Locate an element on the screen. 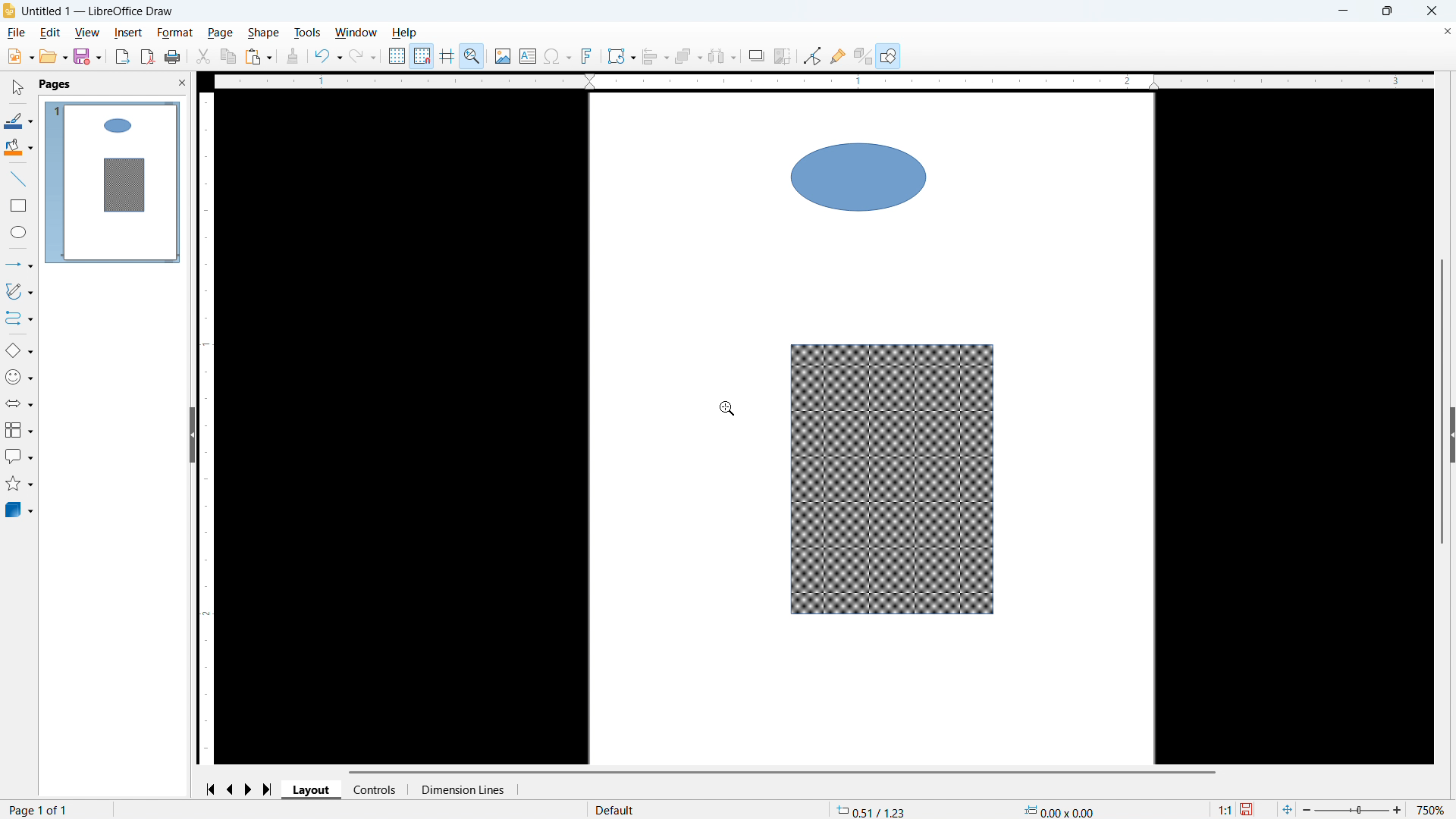 This screenshot has width=1456, height=819. Next page  is located at coordinates (251, 789).